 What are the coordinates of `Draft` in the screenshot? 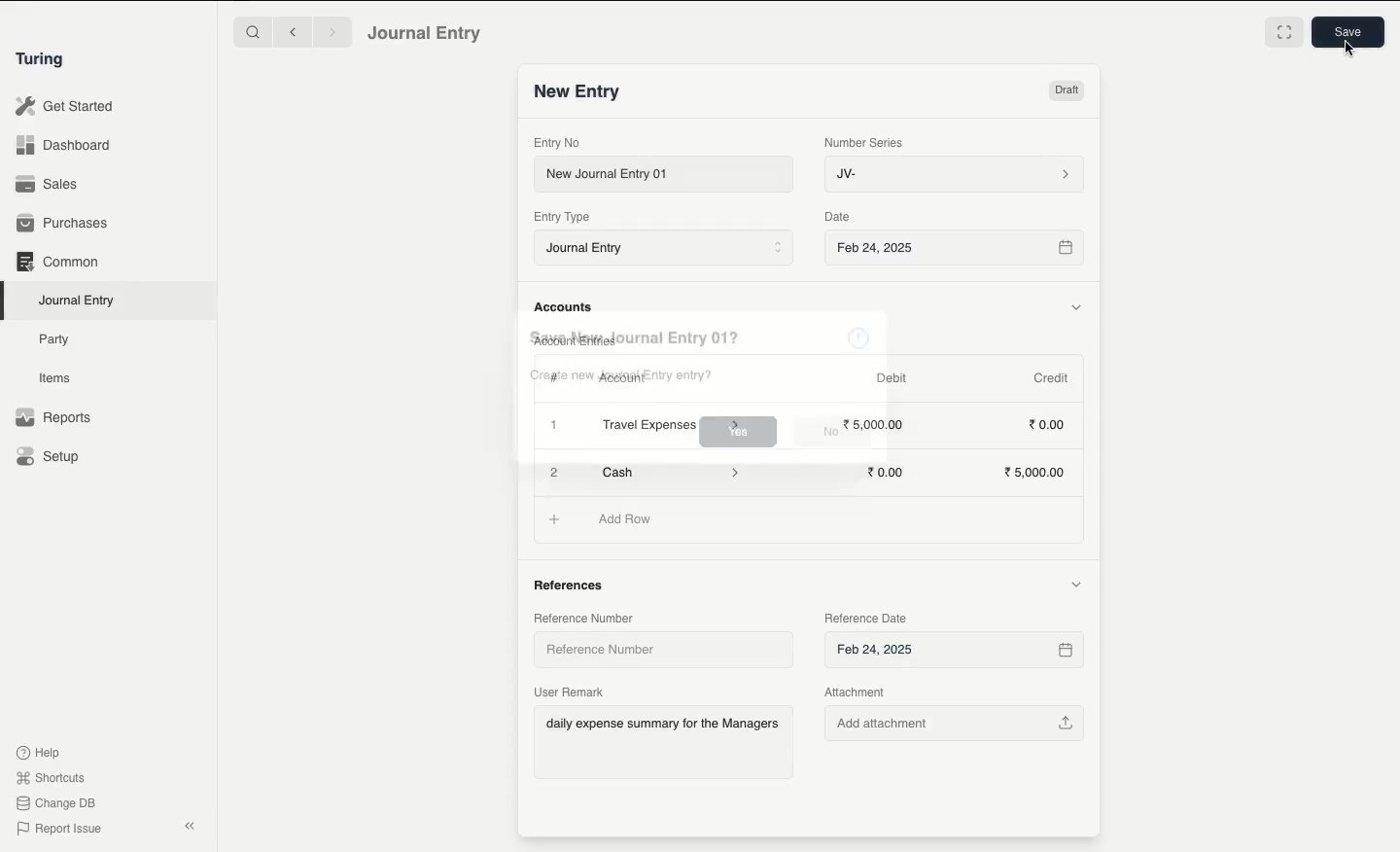 It's located at (1067, 90).